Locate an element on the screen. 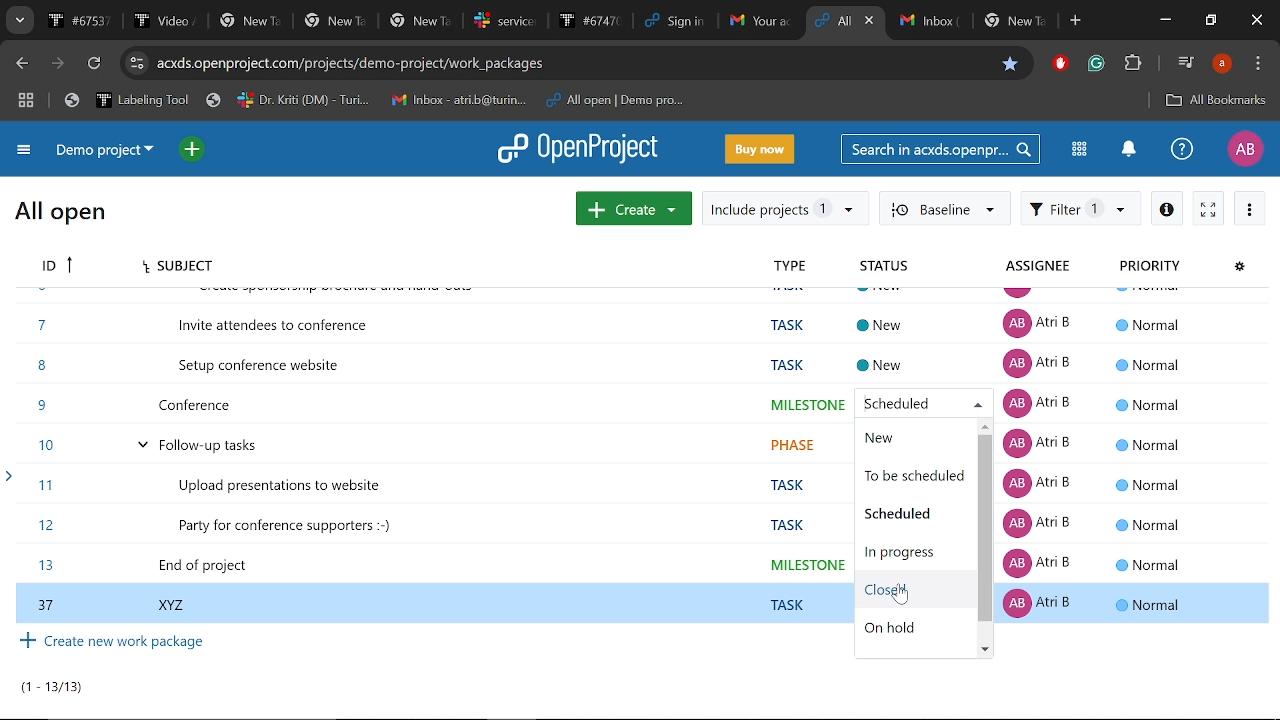 Image resolution: width=1280 pixels, height=720 pixels. Move up is located at coordinates (984, 428).